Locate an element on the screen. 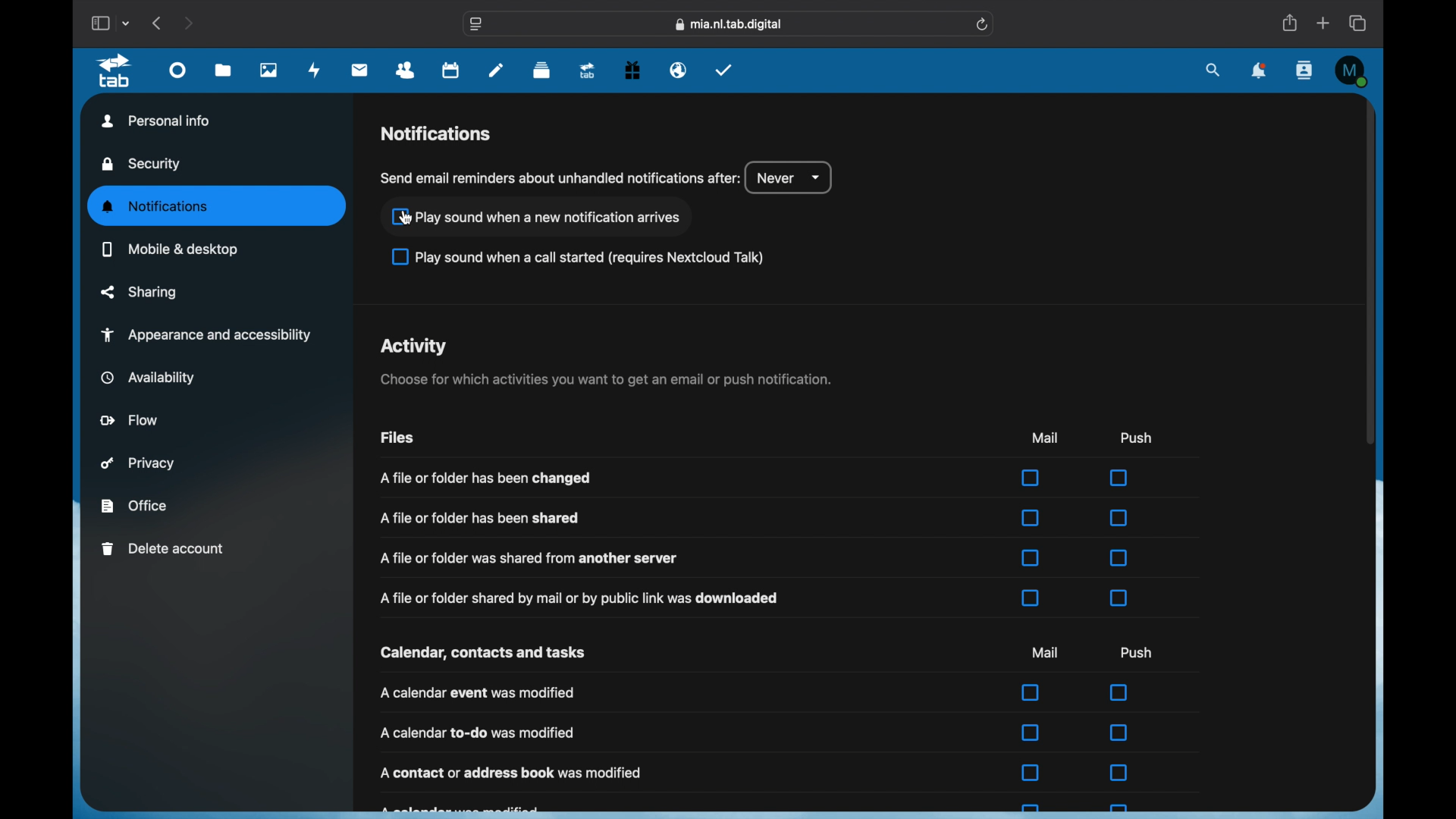 The width and height of the screenshot is (1456, 819). push is located at coordinates (1137, 652).